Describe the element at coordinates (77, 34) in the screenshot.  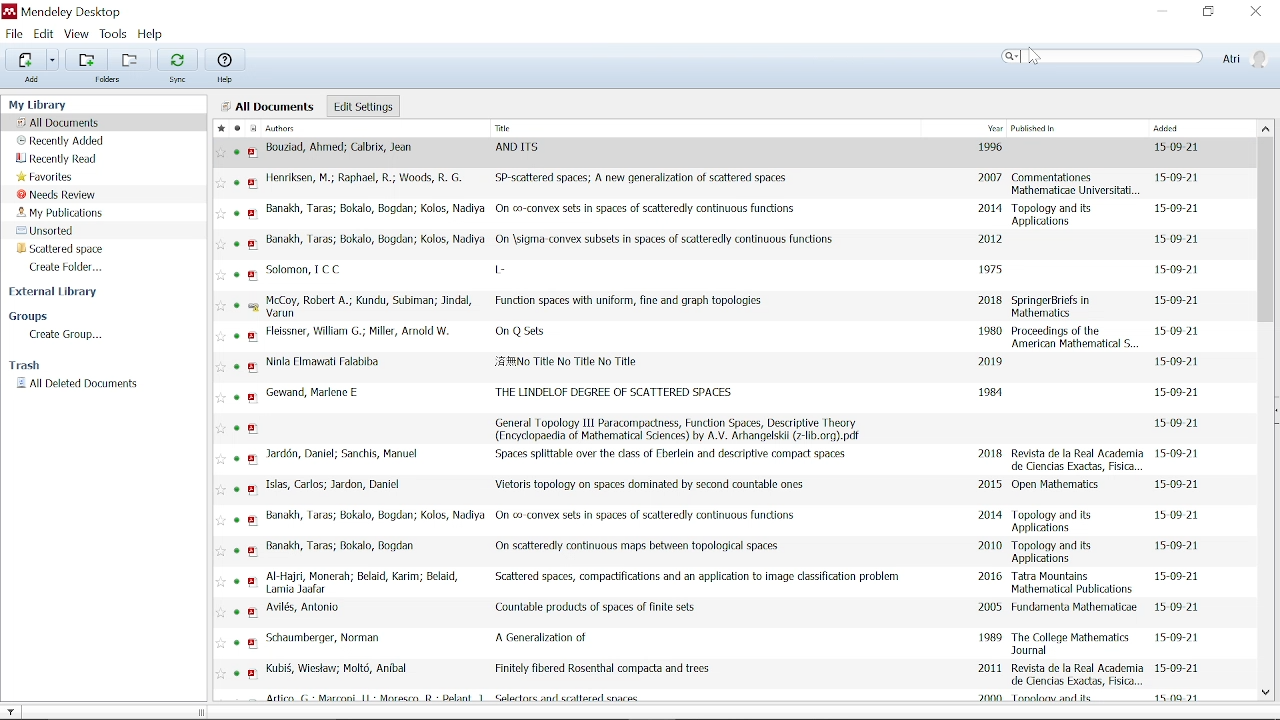
I see `View` at that location.